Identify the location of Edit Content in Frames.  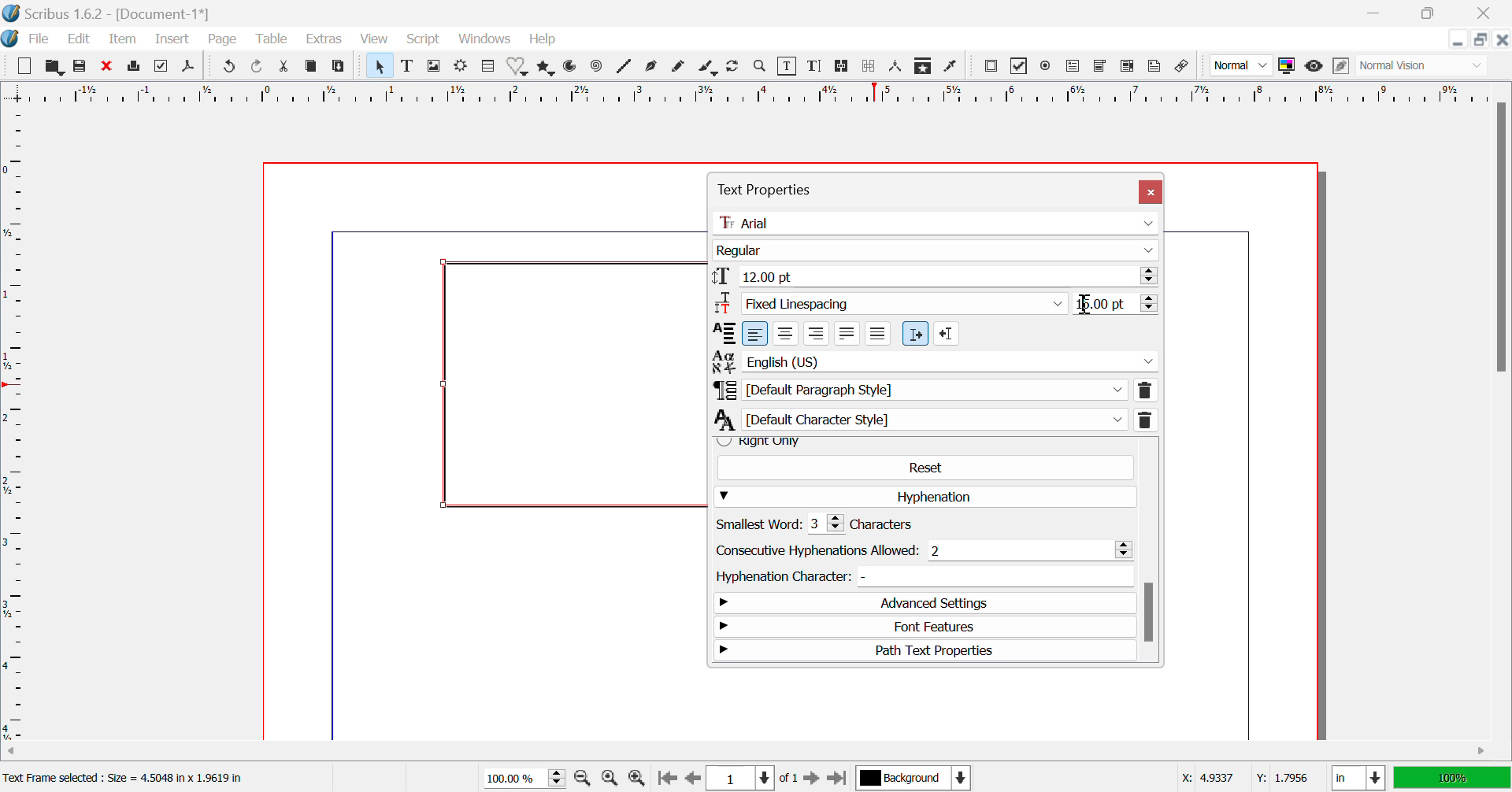
(790, 66).